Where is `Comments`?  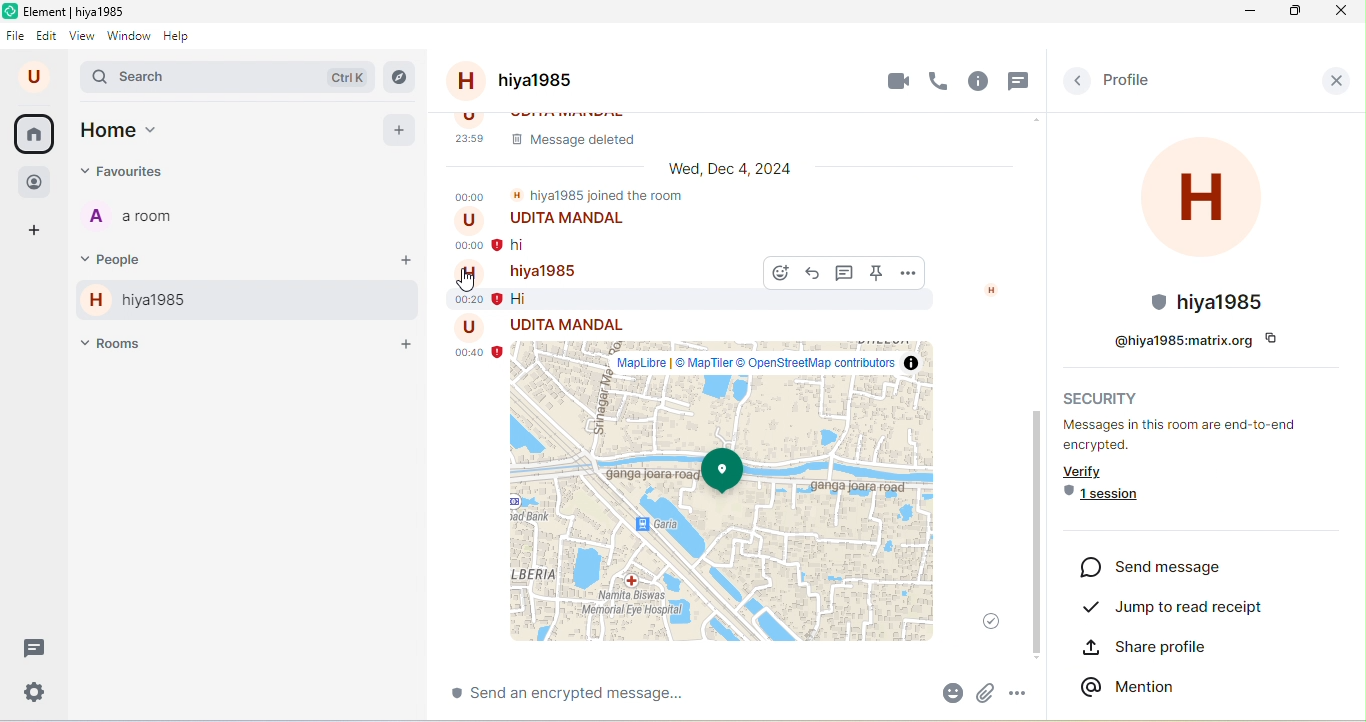 Comments is located at coordinates (846, 273).